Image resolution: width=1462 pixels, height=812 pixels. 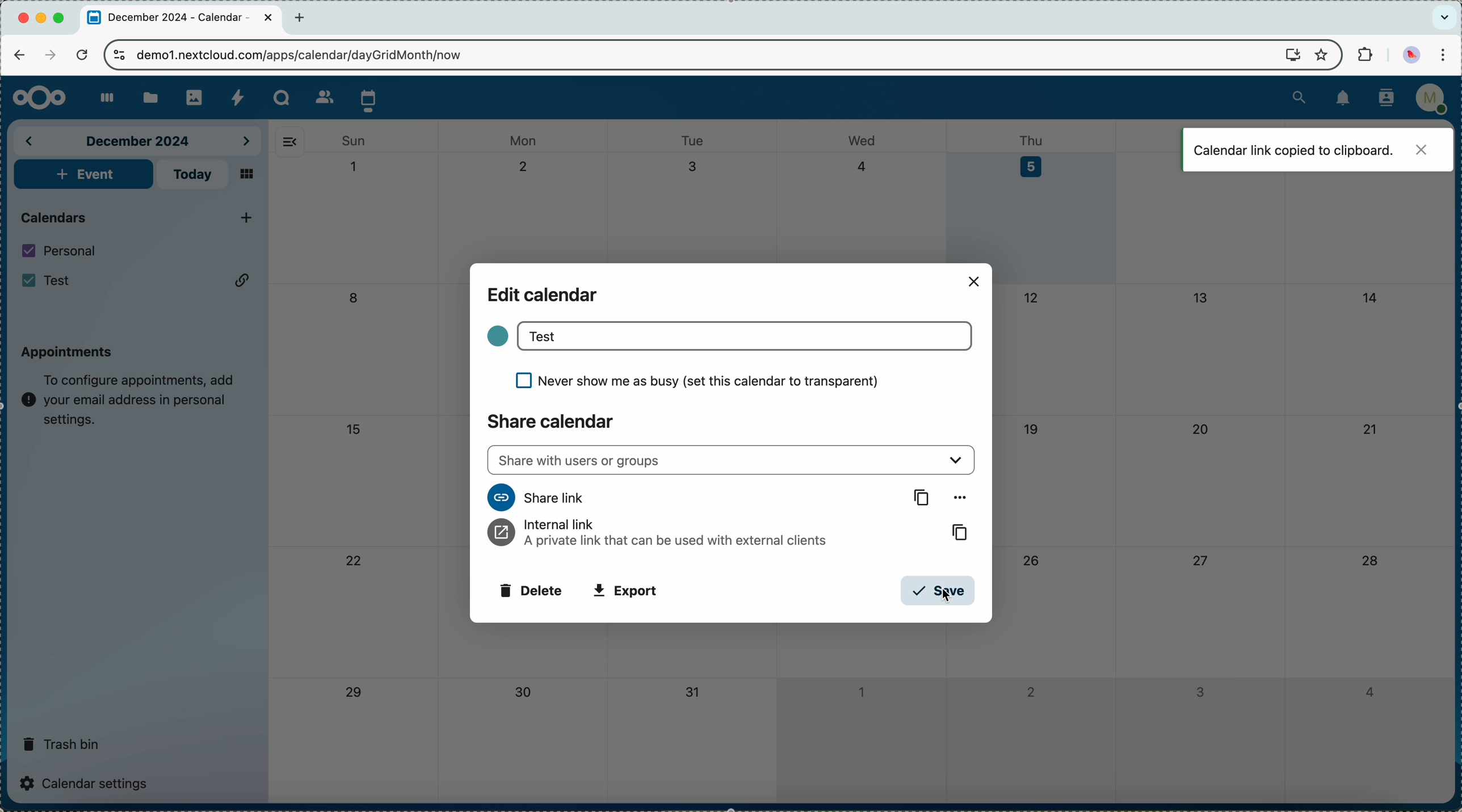 I want to click on 2, so click(x=528, y=167).